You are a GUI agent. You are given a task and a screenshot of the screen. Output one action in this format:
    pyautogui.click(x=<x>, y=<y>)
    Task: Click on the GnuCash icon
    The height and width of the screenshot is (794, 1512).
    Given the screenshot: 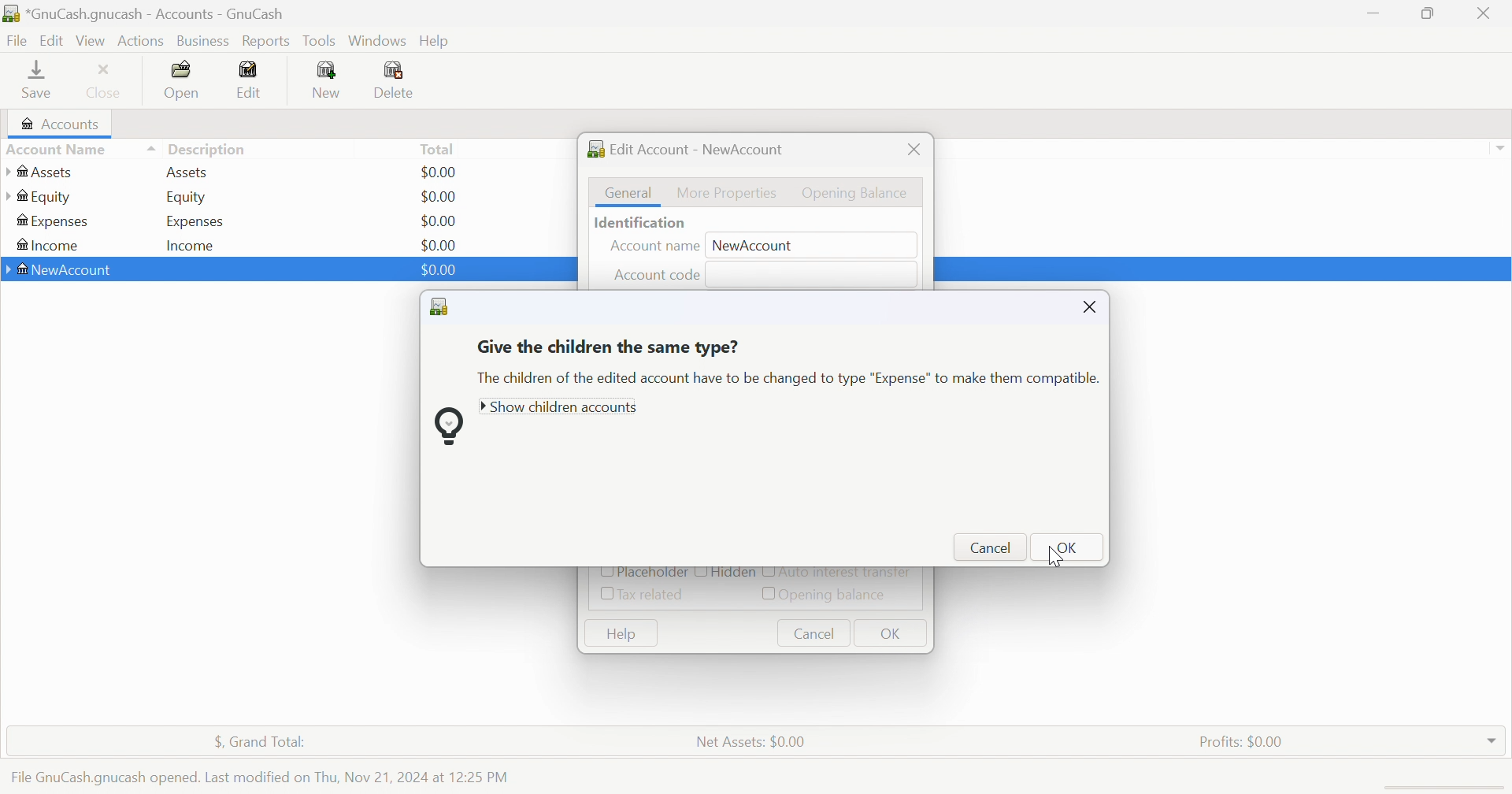 What is the action you would take?
    pyautogui.click(x=443, y=309)
    